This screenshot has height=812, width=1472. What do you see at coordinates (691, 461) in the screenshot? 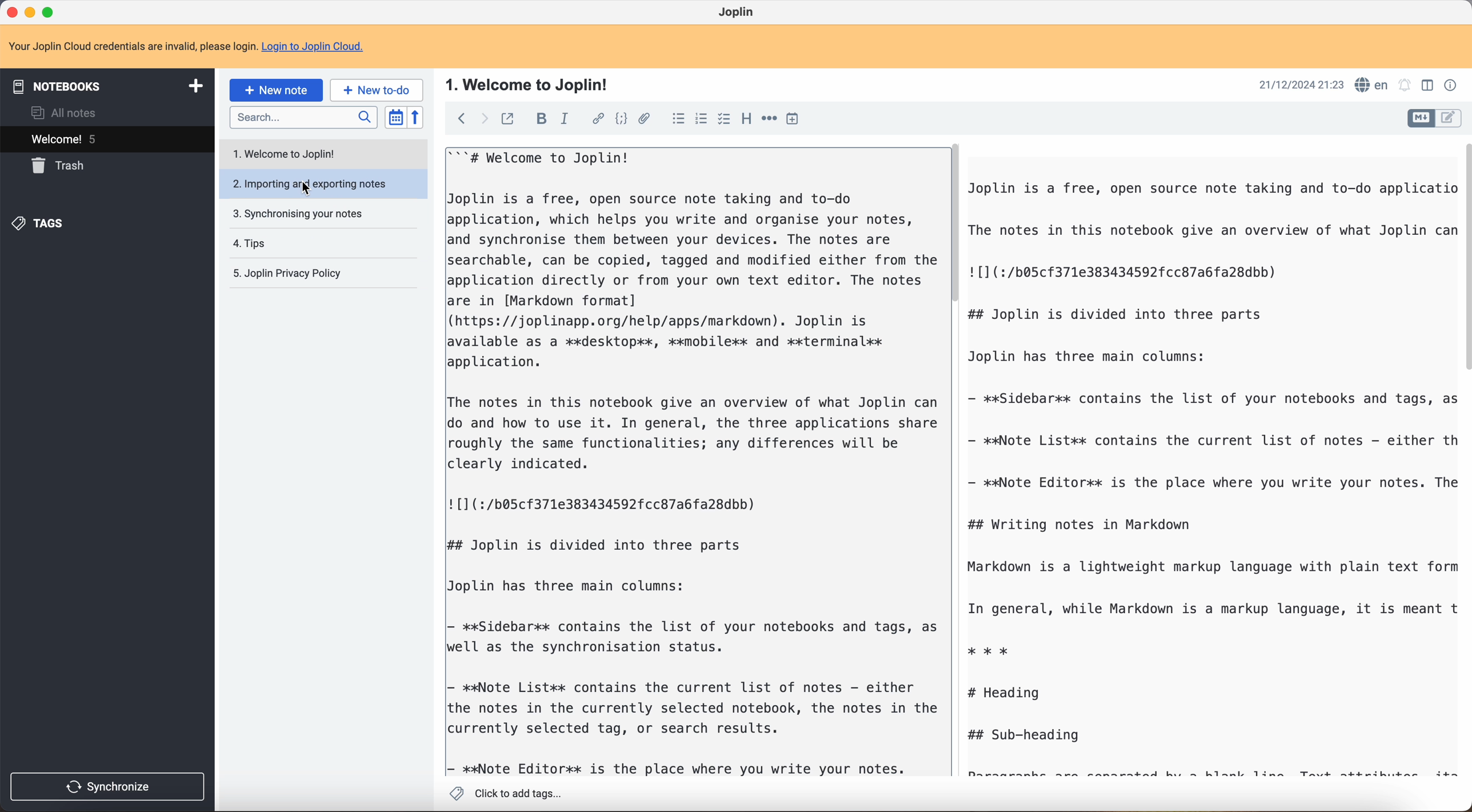
I see `Welcome to Joplin! Joplin is a free, open source note talking and to-do application, which helps you write and organize your notes, and synchronize them between your devices. The notes are searchable, can be copied, tagged and modified either from the application directly or from your own text editor. The notes are in Markdown format…` at bounding box center [691, 461].